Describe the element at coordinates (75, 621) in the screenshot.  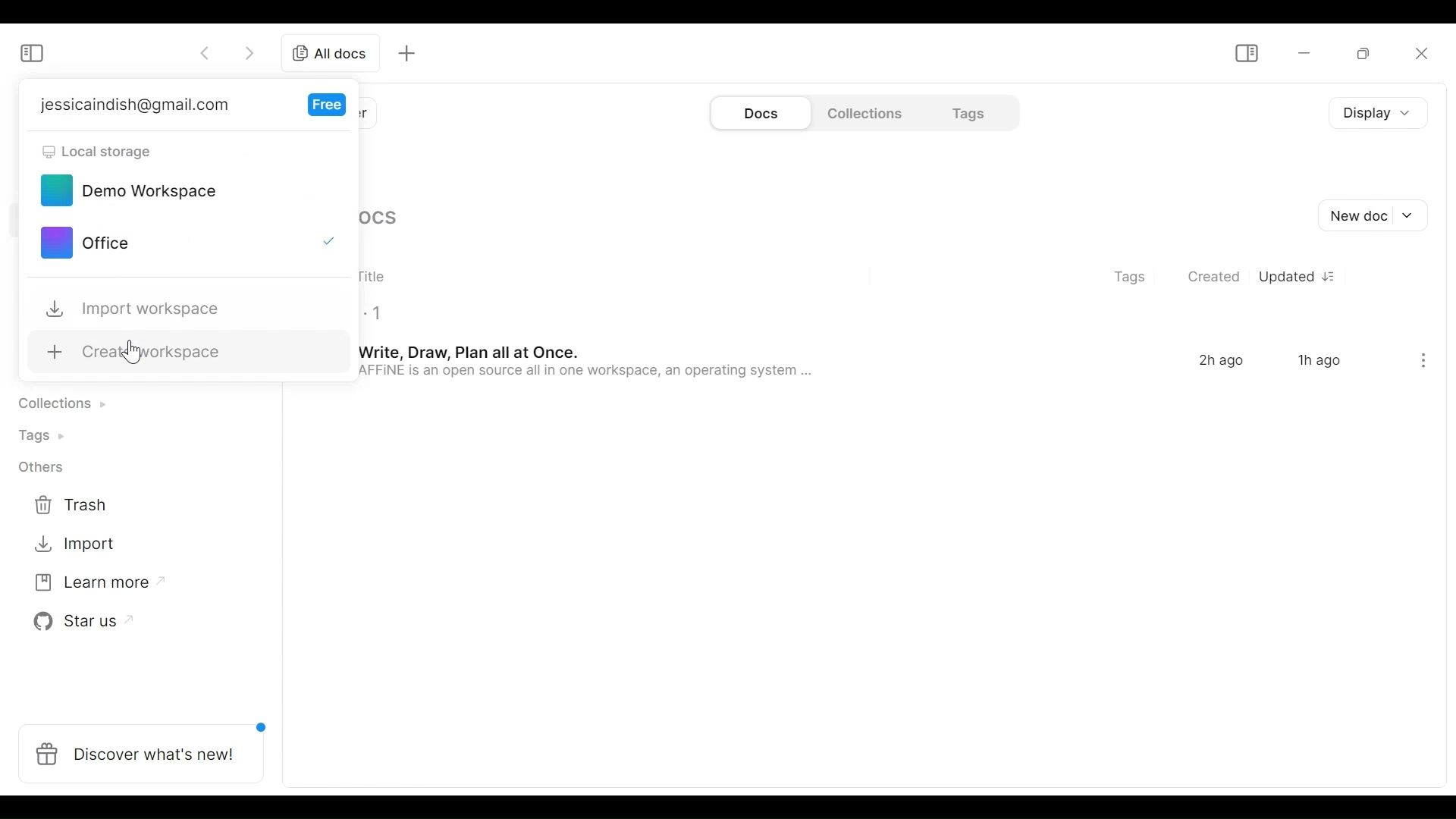
I see `Star us` at that location.